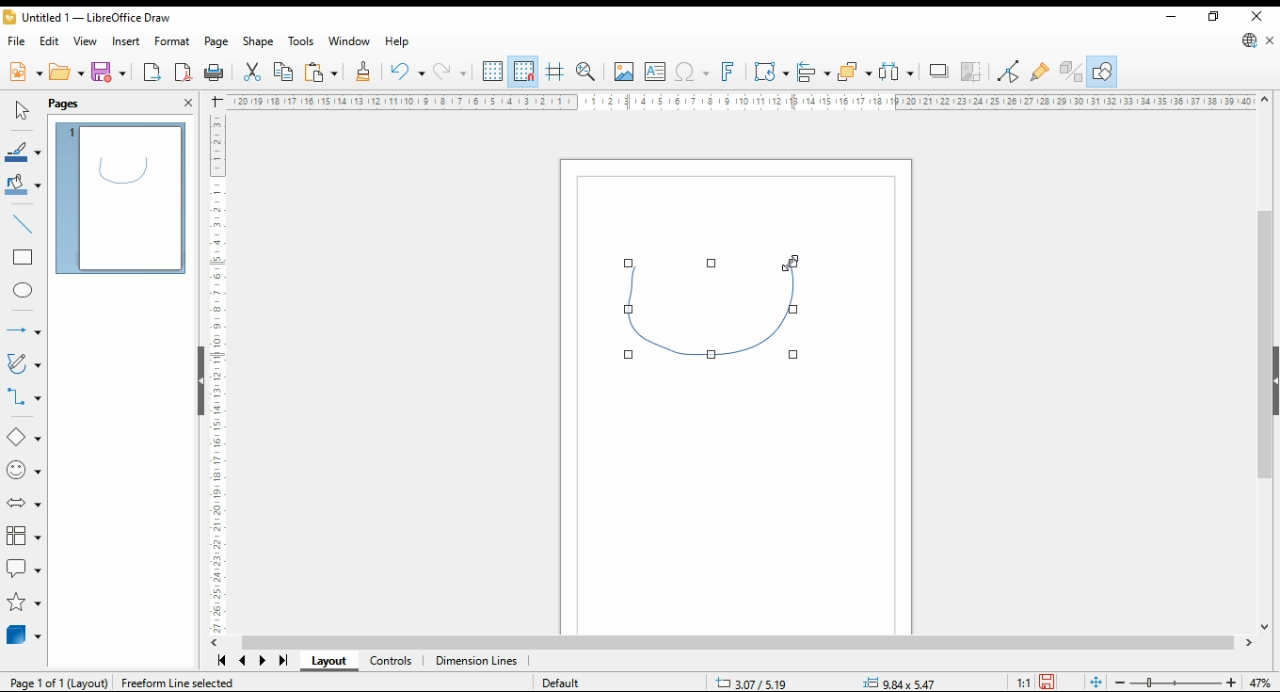  What do you see at coordinates (477, 661) in the screenshot?
I see `dimensions` at bounding box center [477, 661].